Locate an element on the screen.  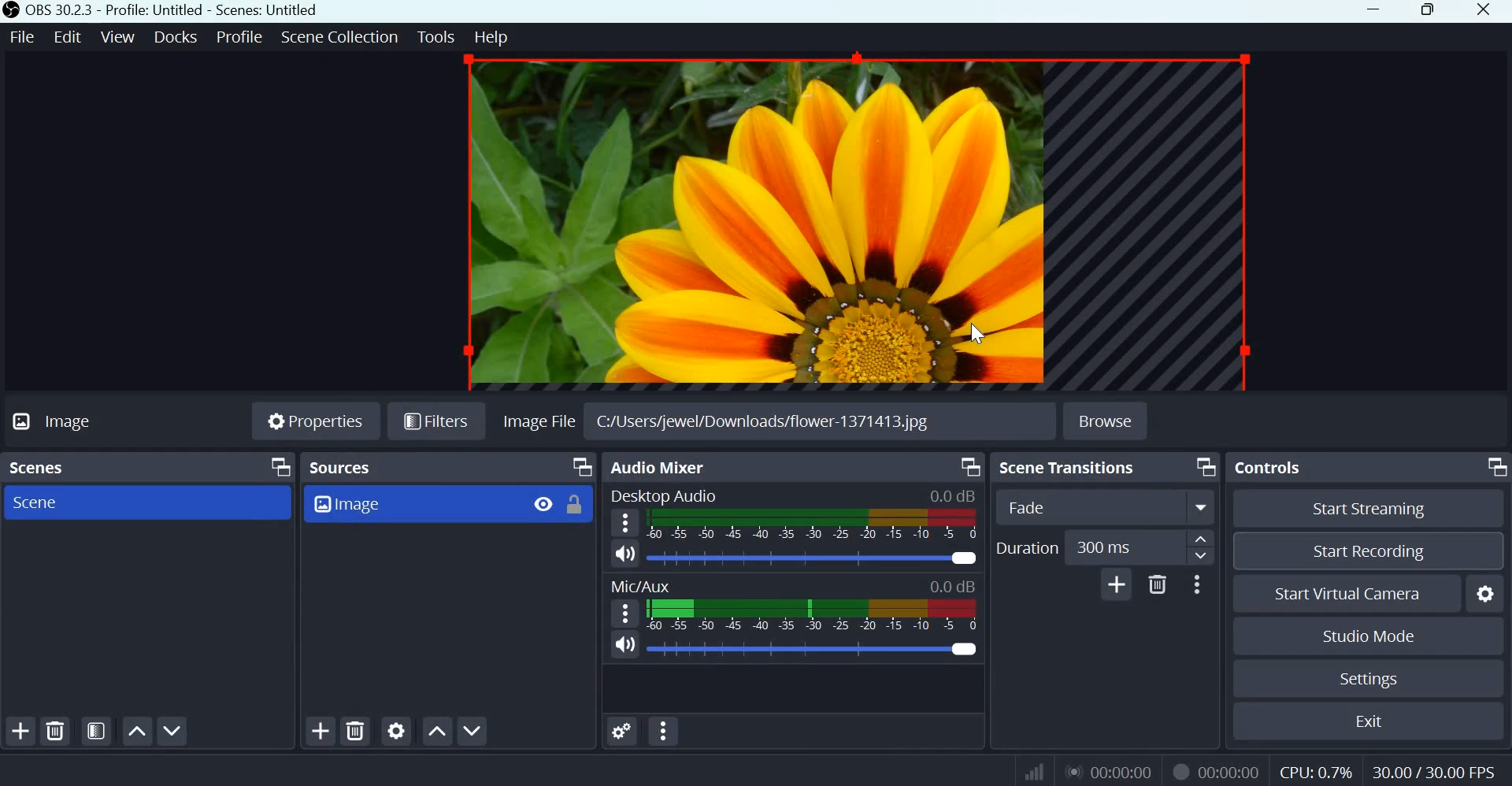
Advanced Audio Properties is located at coordinates (620, 730).